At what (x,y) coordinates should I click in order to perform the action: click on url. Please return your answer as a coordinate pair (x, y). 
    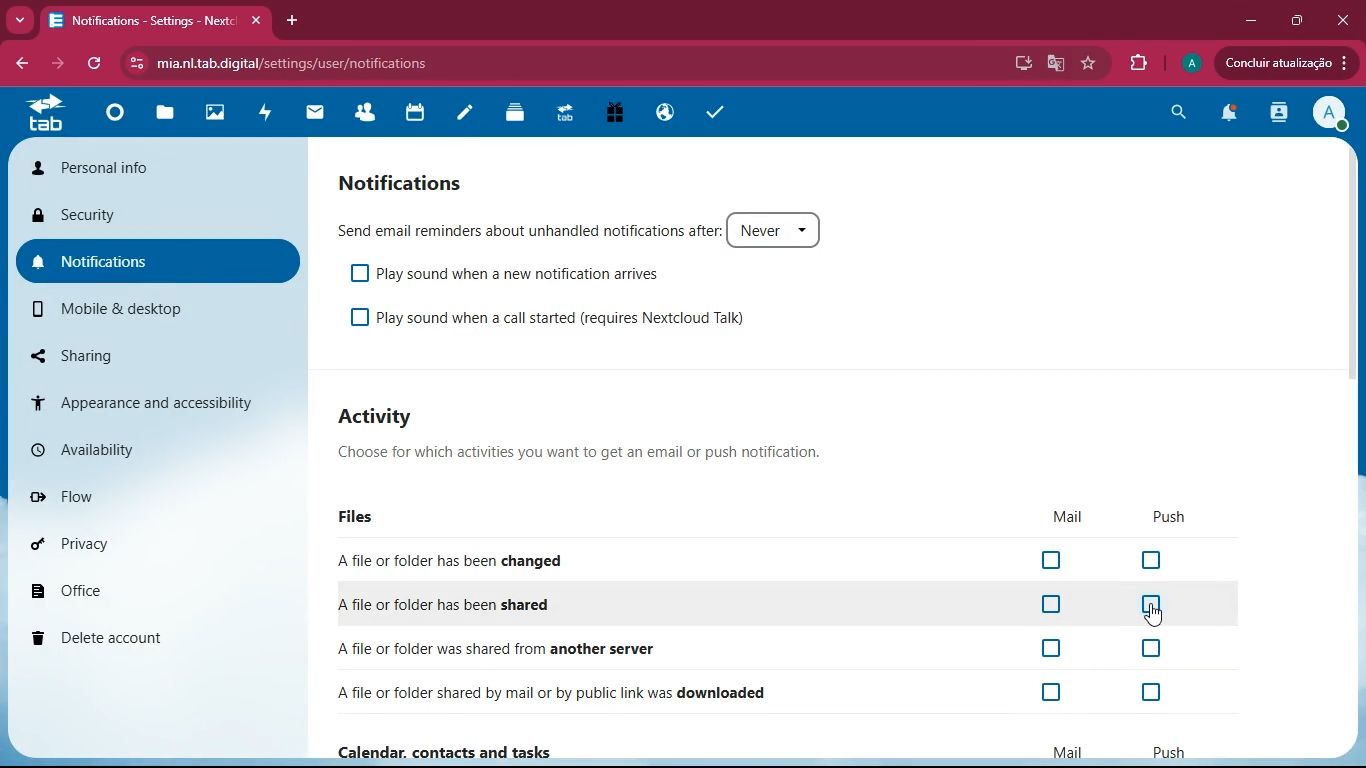
    Looking at the image, I should click on (287, 60).